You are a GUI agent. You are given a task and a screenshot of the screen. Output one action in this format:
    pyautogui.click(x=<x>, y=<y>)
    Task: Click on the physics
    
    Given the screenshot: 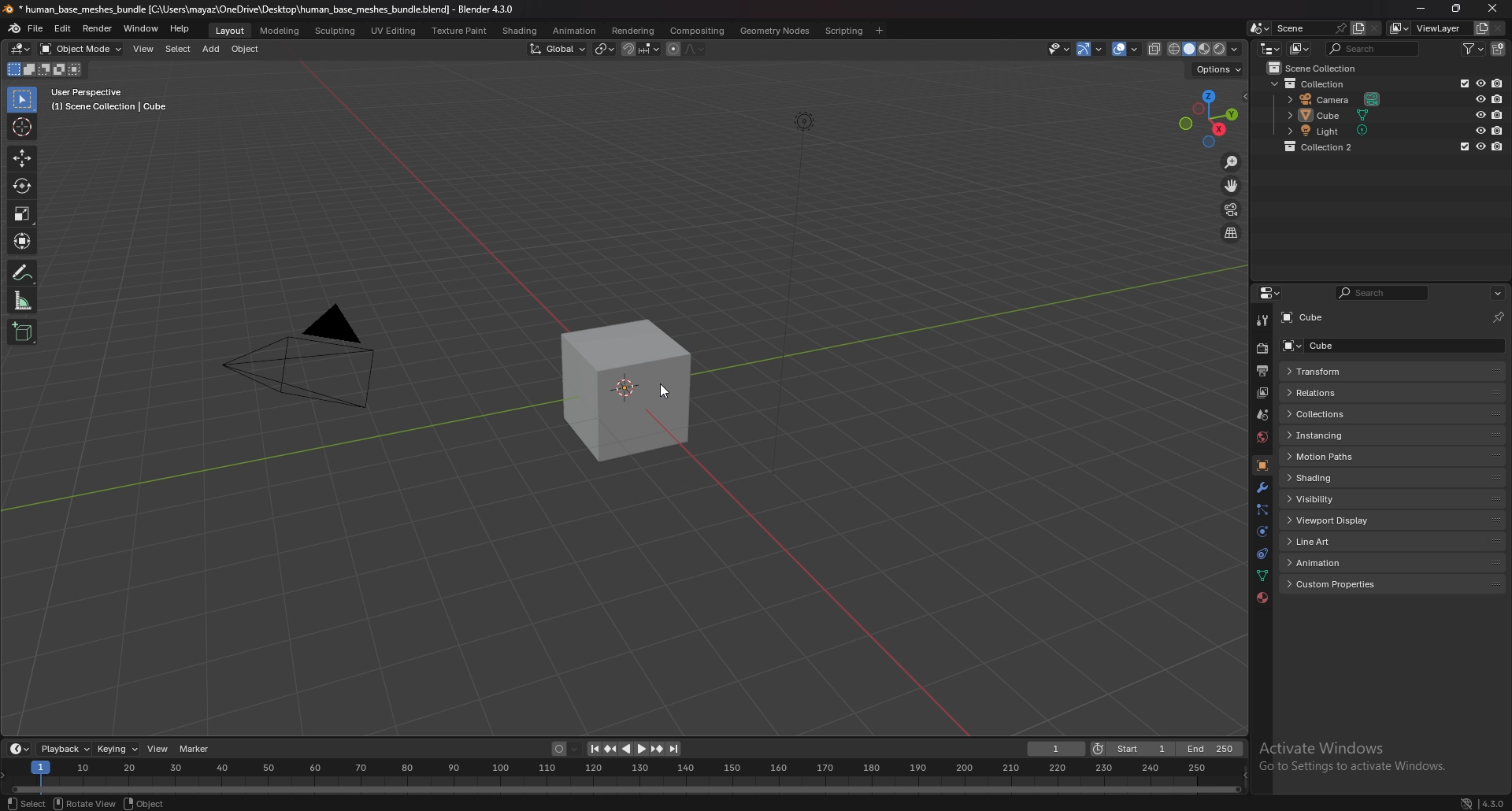 What is the action you would take?
    pyautogui.click(x=1263, y=531)
    